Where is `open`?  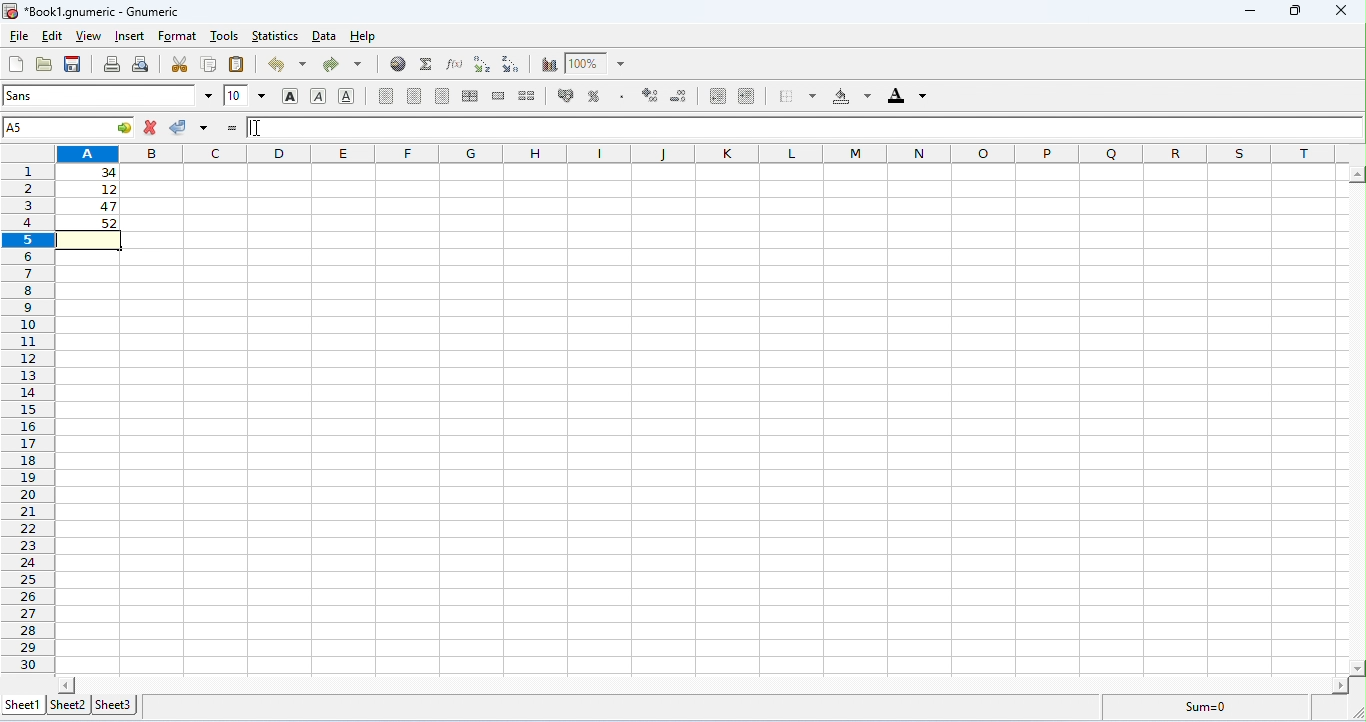 open is located at coordinates (44, 64).